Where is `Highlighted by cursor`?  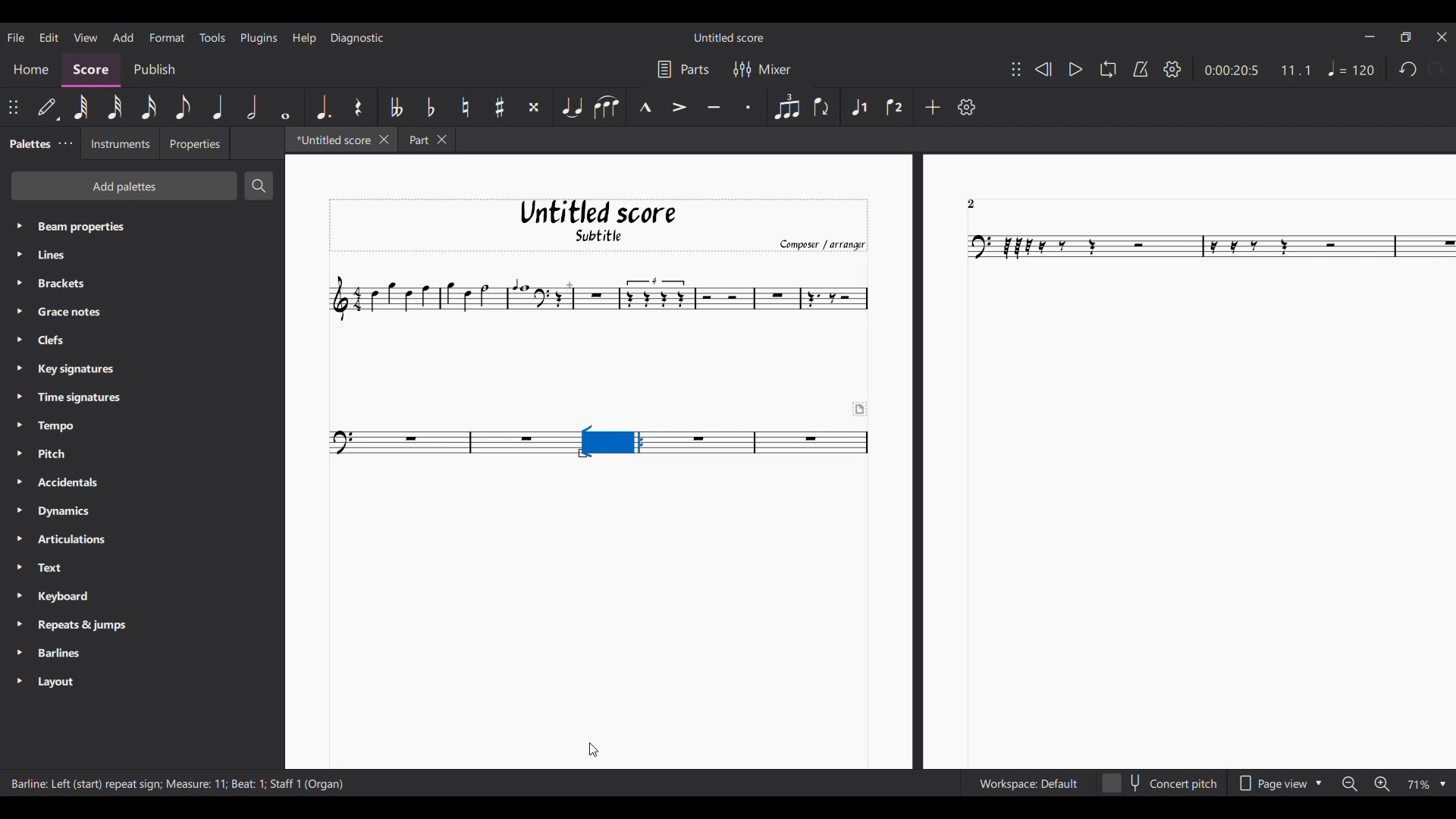
Highlighted by cursor is located at coordinates (166, 36).